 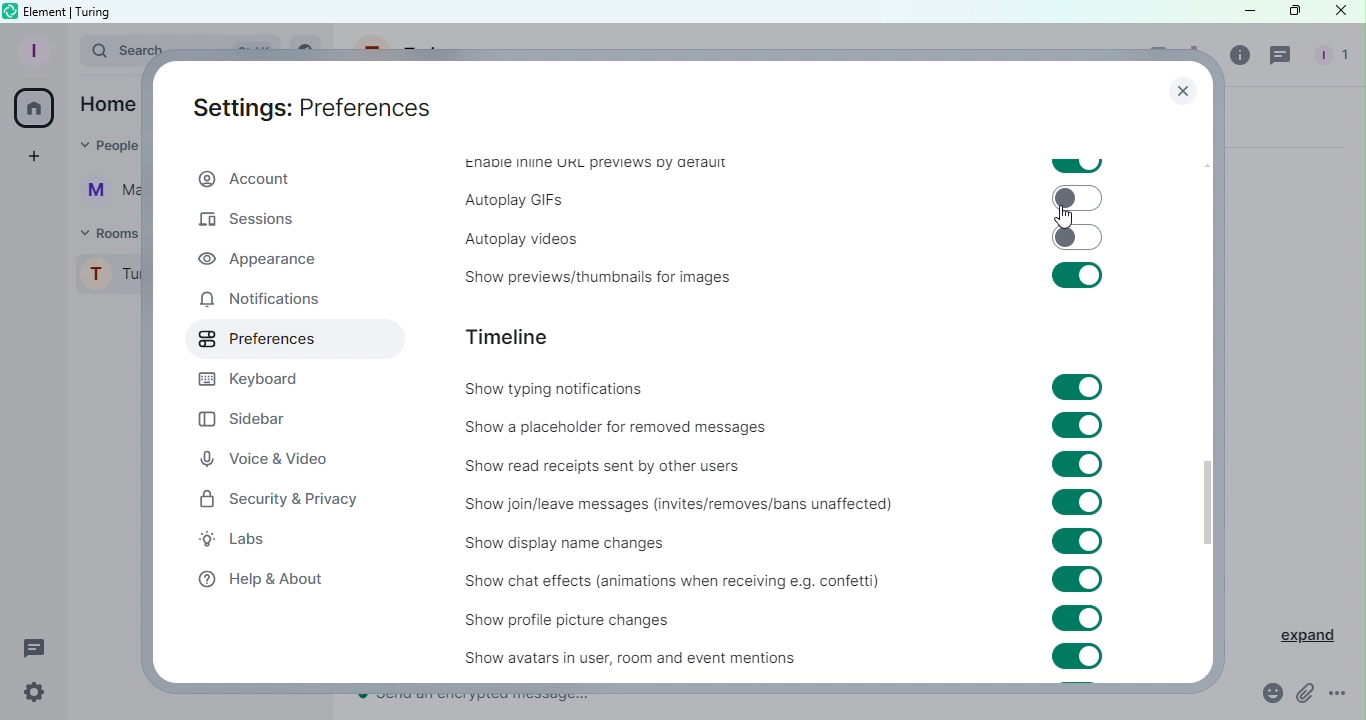 What do you see at coordinates (1207, 396) in the screenshot?
I see `Scroll bar` at bounding box center [1207, 396].